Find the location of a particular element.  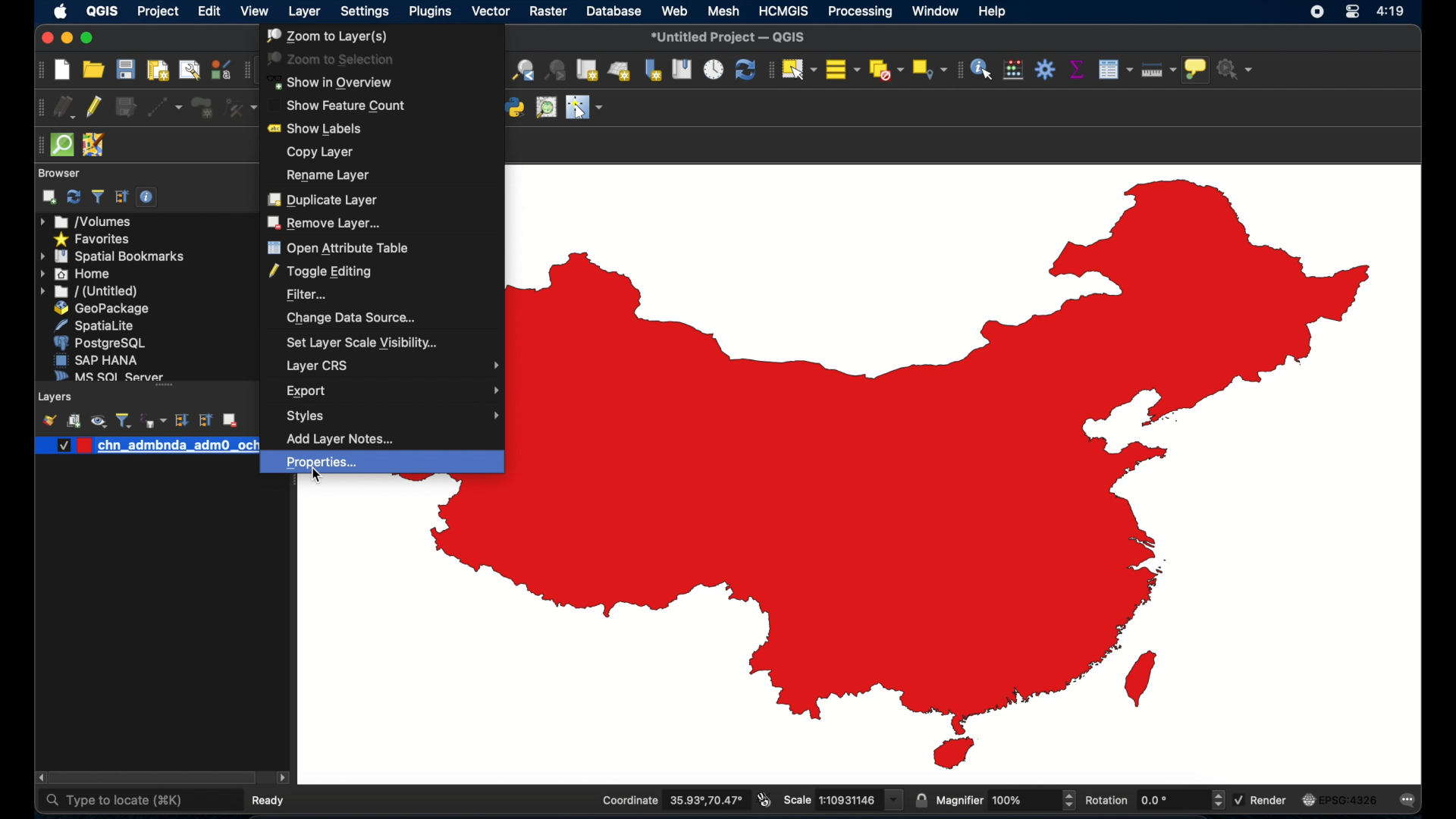

web is located at coordinates (674, 11).